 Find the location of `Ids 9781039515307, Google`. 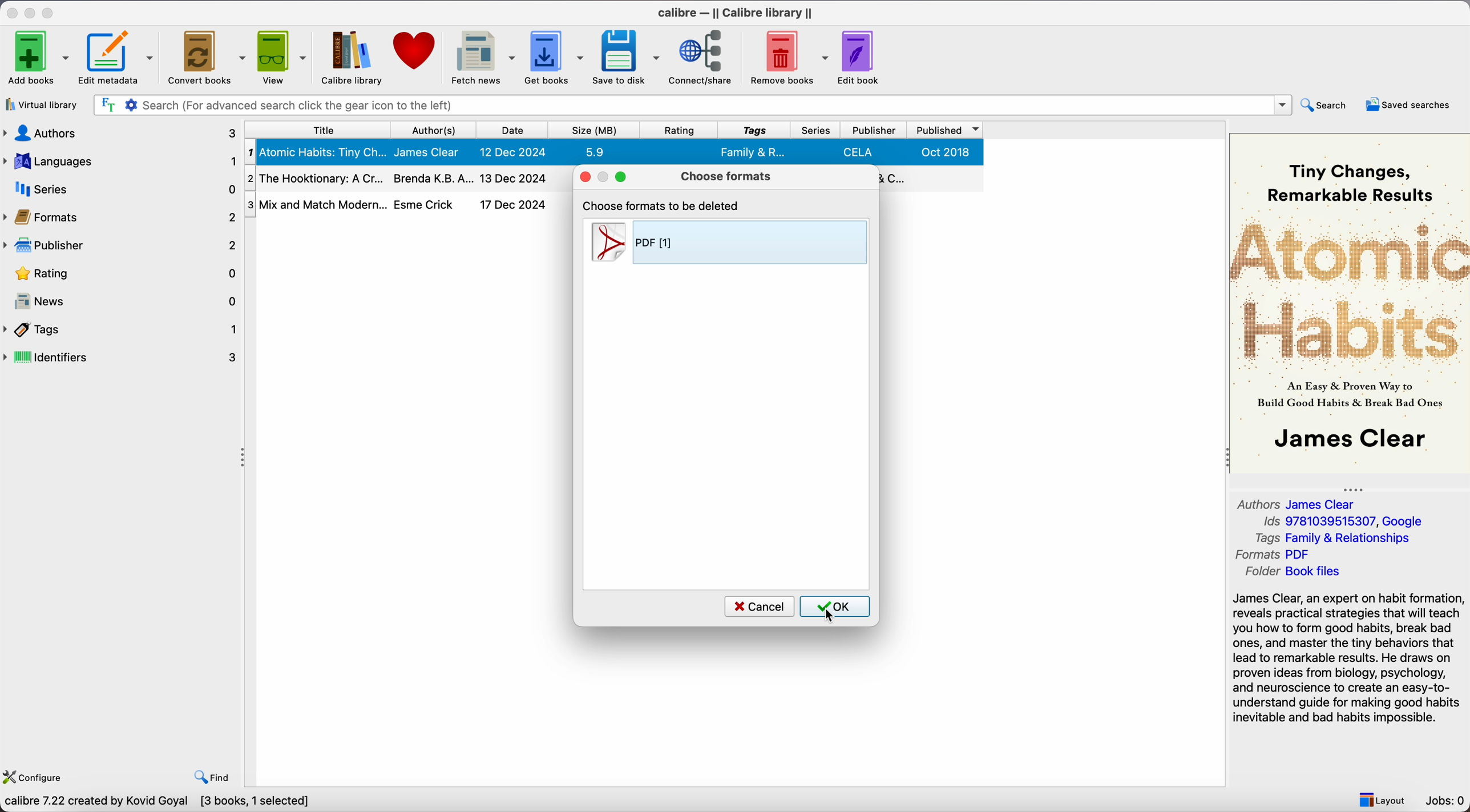

Ids 9781039515307, Google is located at coordinates (1339, 522).